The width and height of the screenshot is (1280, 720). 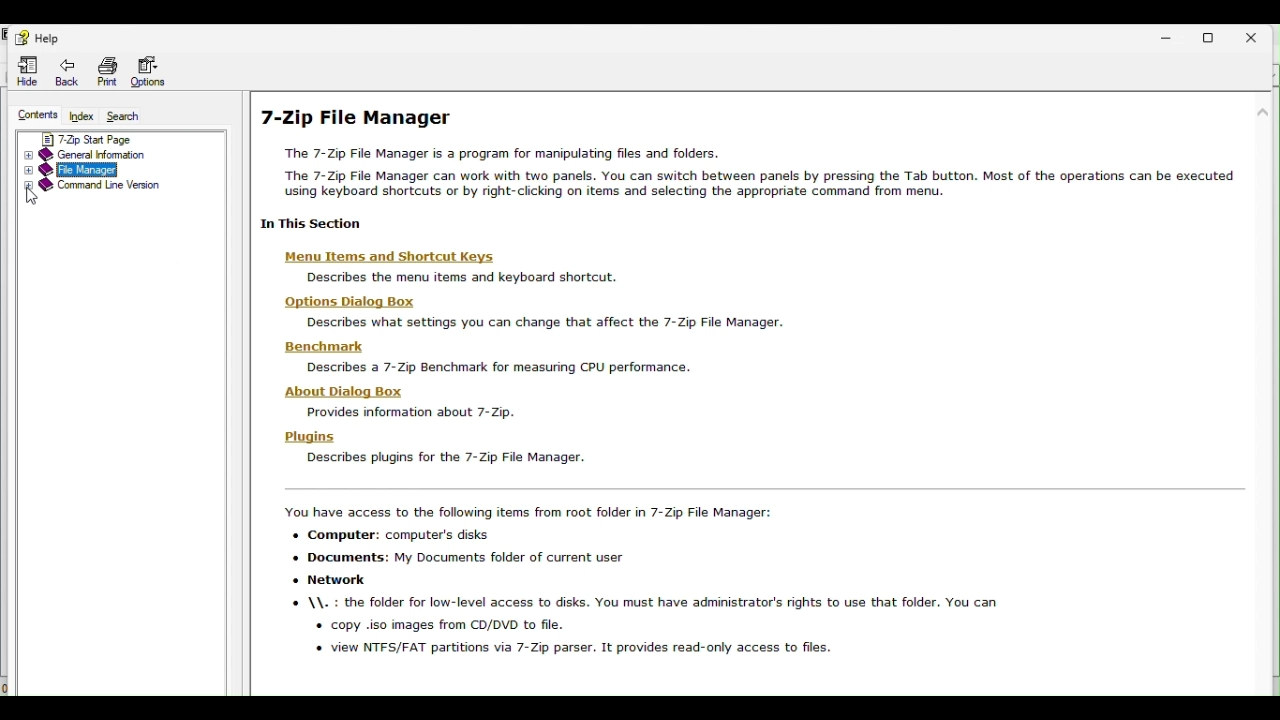 I want to click on Minimize, so click(x=1174, y=34).